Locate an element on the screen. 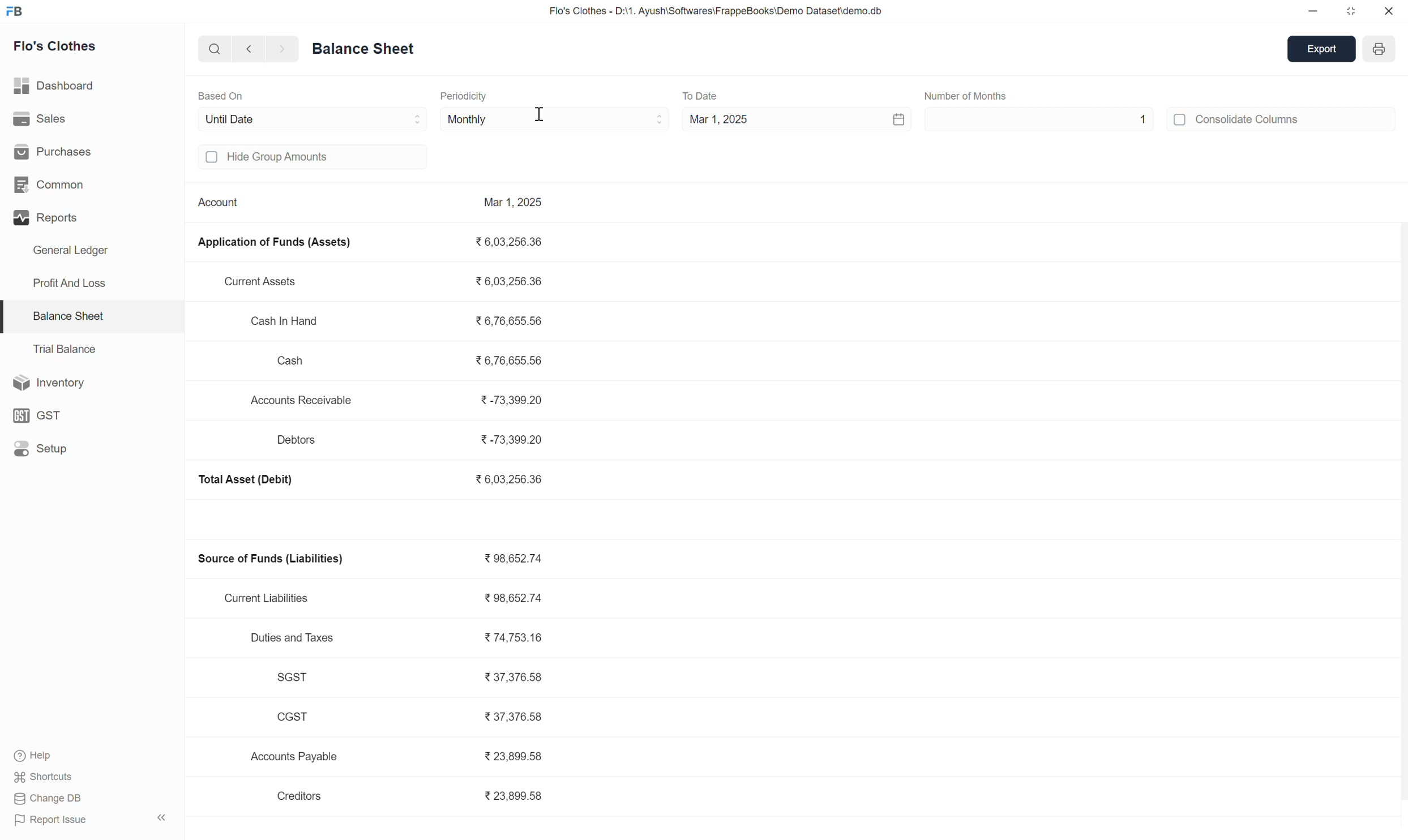 The width and height of the screenshot is (1408, 840). Report Issue is located at coordinates (47, 820).